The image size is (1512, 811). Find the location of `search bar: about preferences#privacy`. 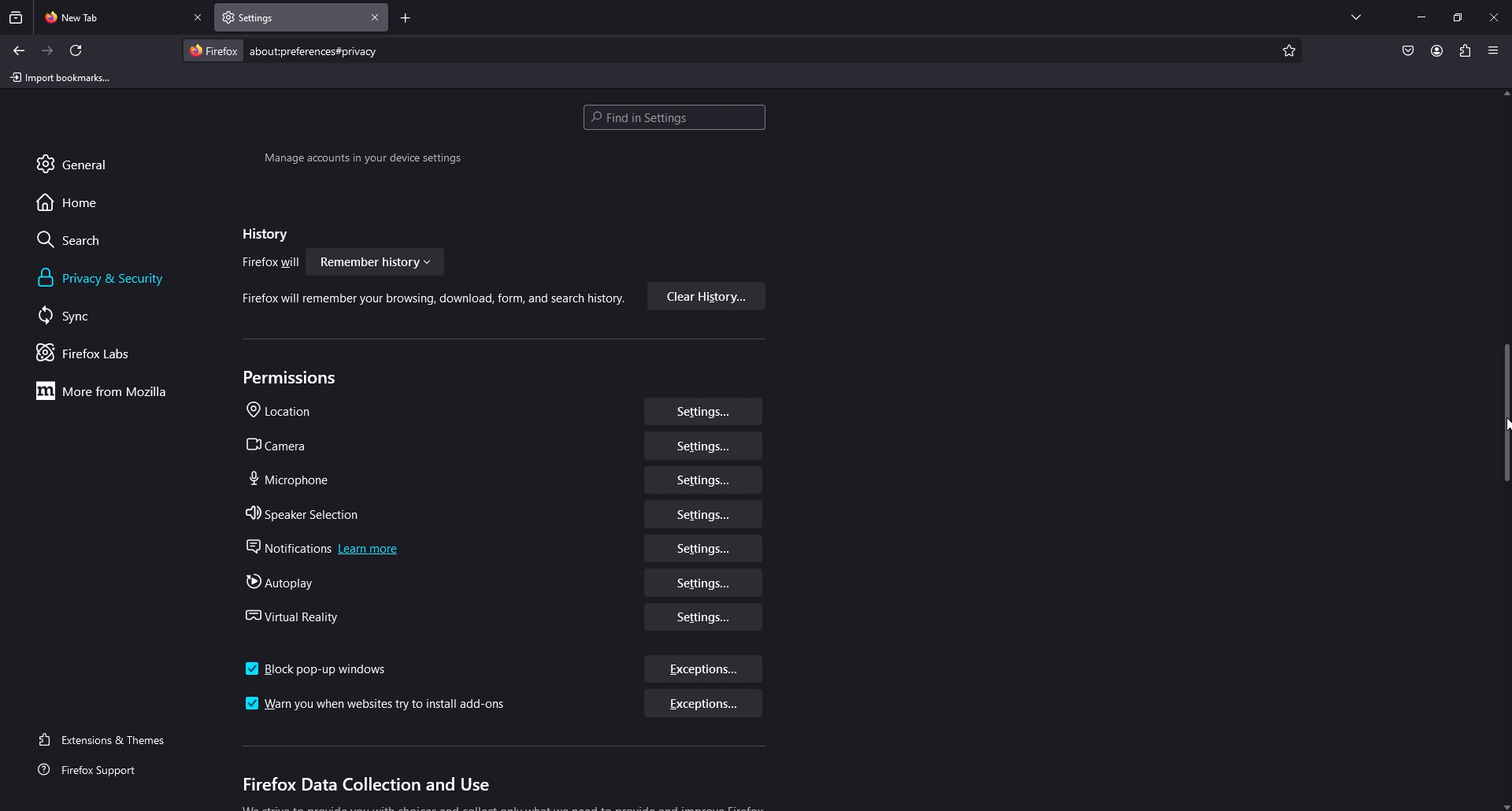

search bar: about preferences#privacy is located at coordinates (312, 50).